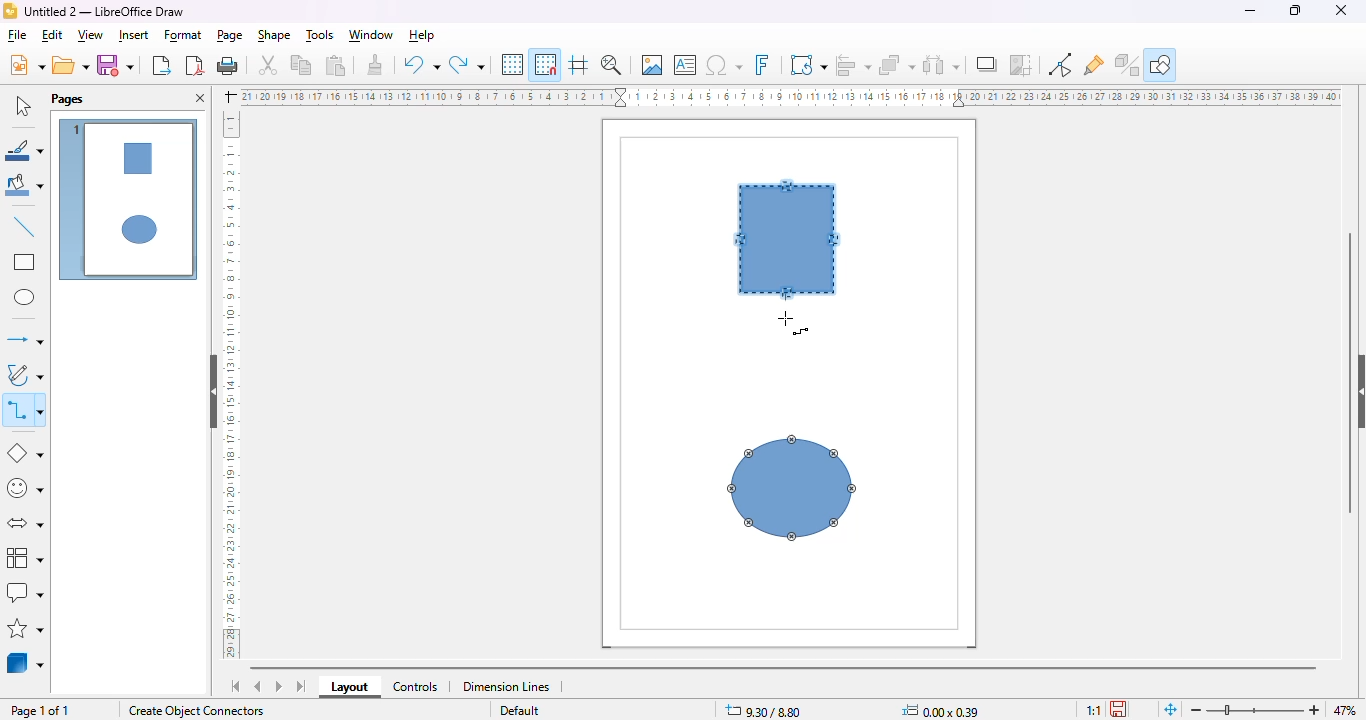  What do you see at coordinates (517, 711) in the screenshot?
I see `Default` at bounding box center [517, 711].